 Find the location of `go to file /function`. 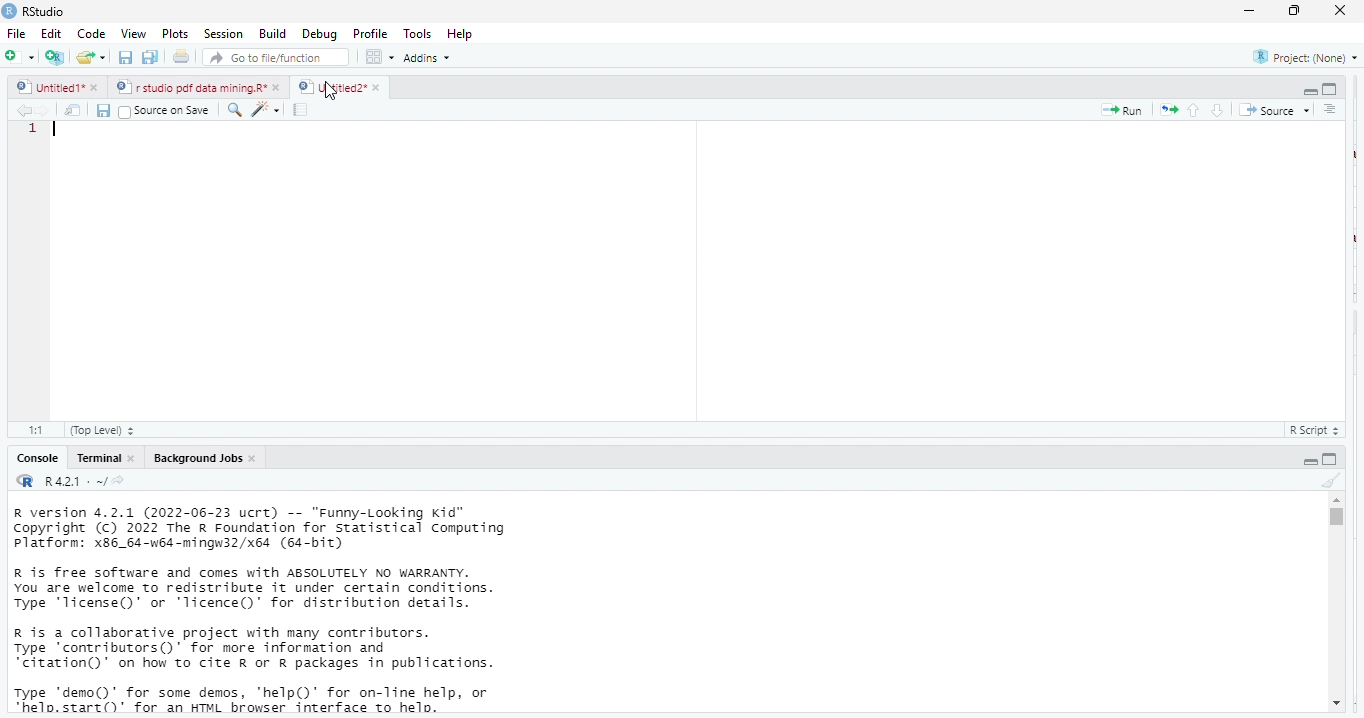

go to file /function is located at coordinates (272, 56).